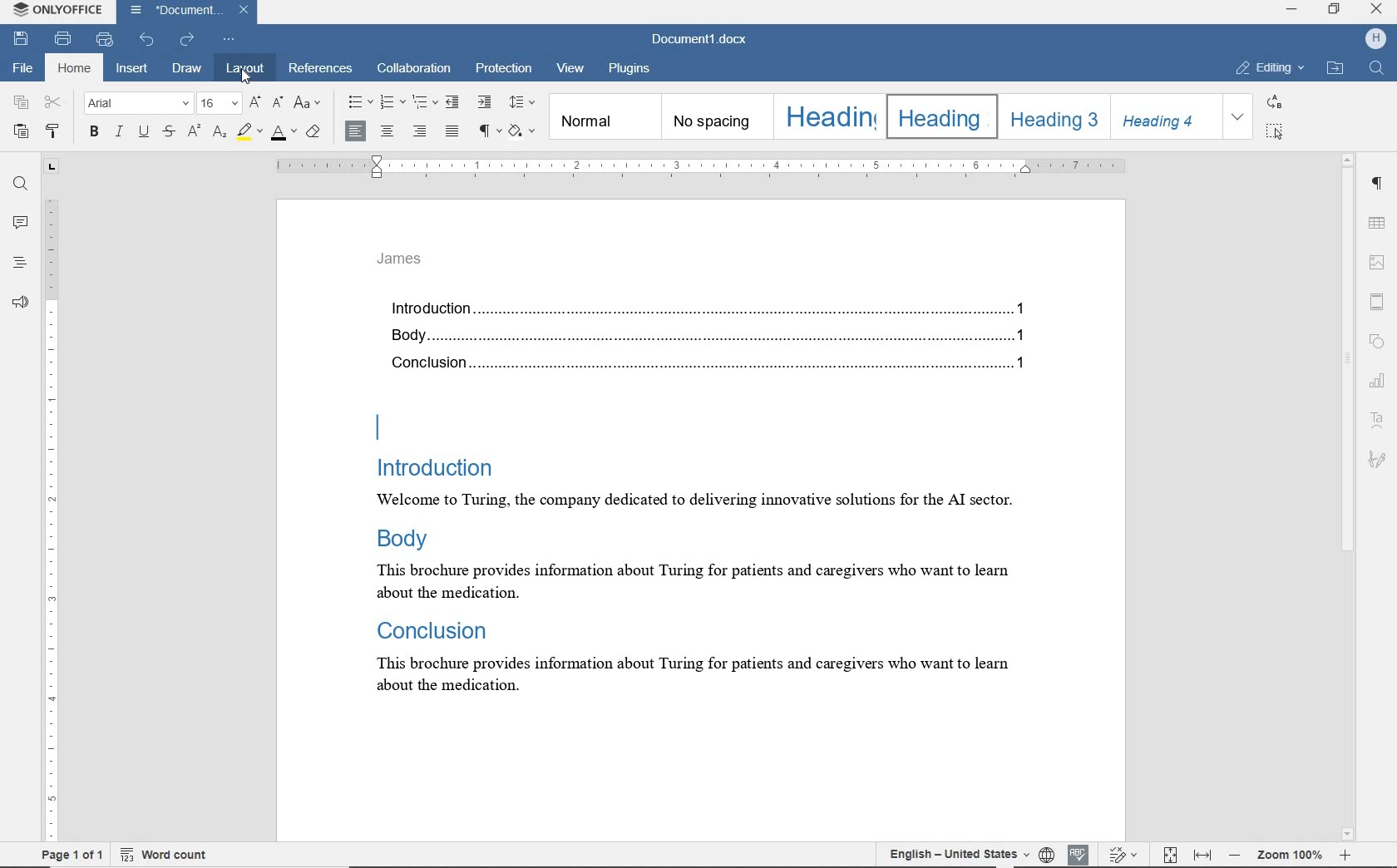  I want to click on HEADING 3, so click(1054, 116).